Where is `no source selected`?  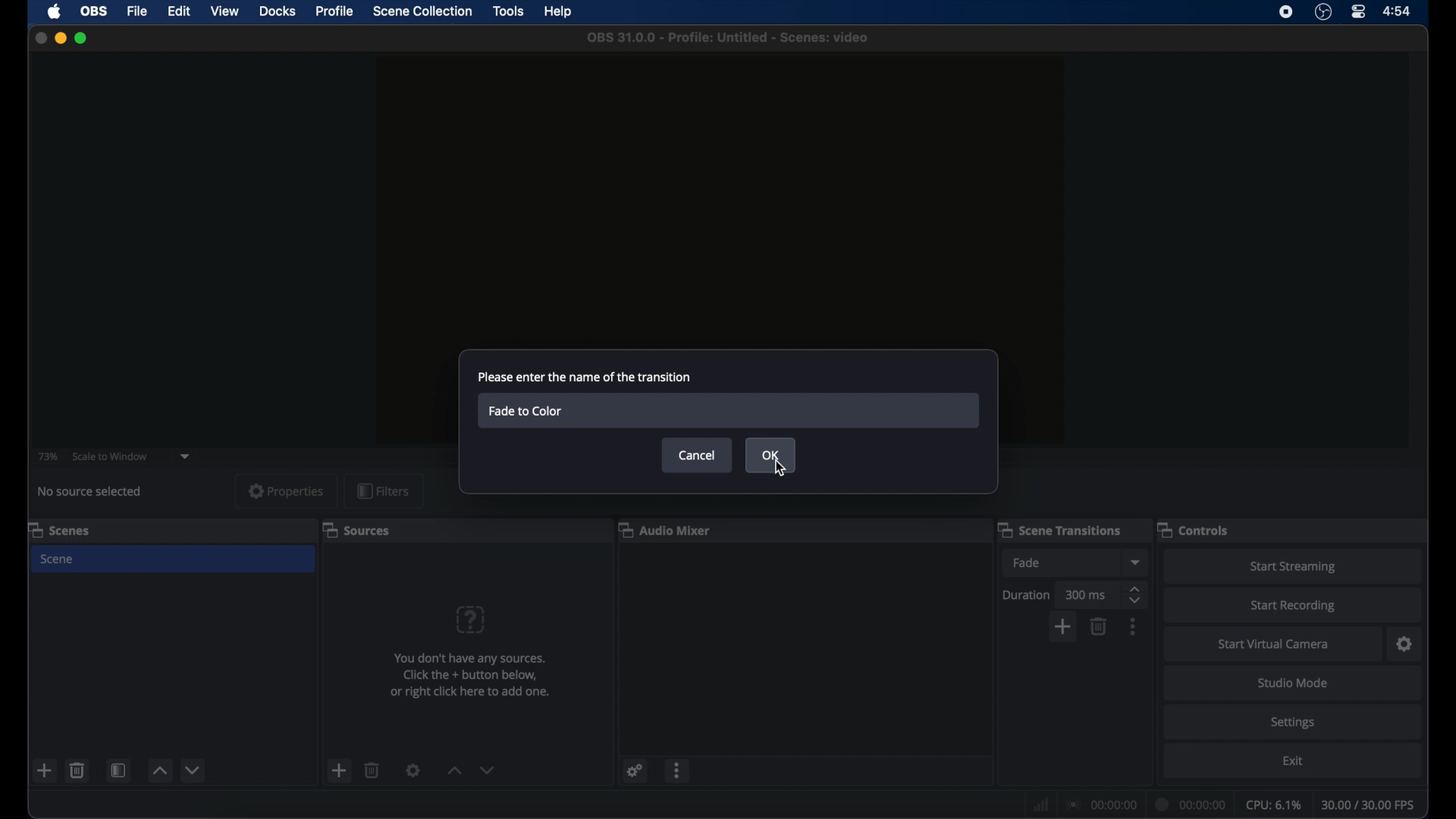 no source selected is located at coordinates (89, 491).